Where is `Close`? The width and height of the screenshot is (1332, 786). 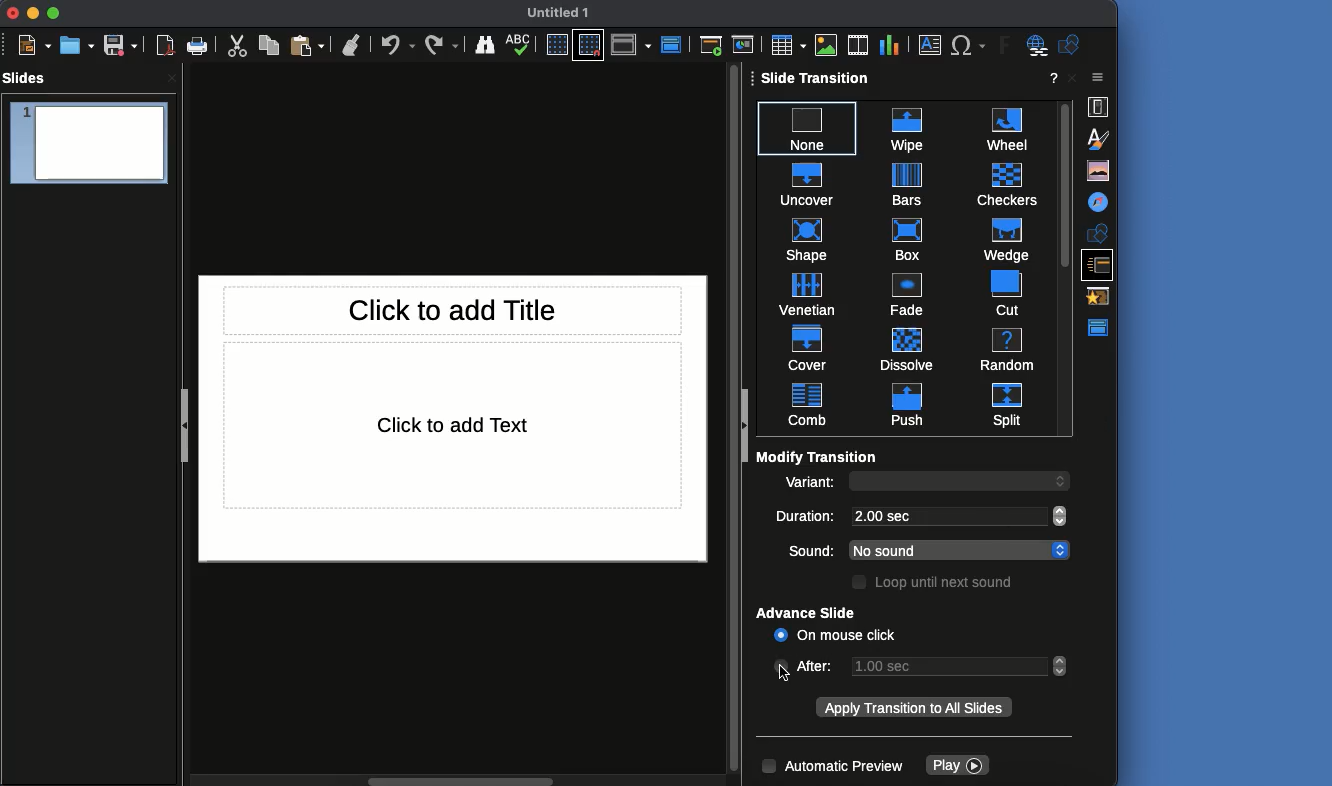
Close is located at coordinates (1098, 79).